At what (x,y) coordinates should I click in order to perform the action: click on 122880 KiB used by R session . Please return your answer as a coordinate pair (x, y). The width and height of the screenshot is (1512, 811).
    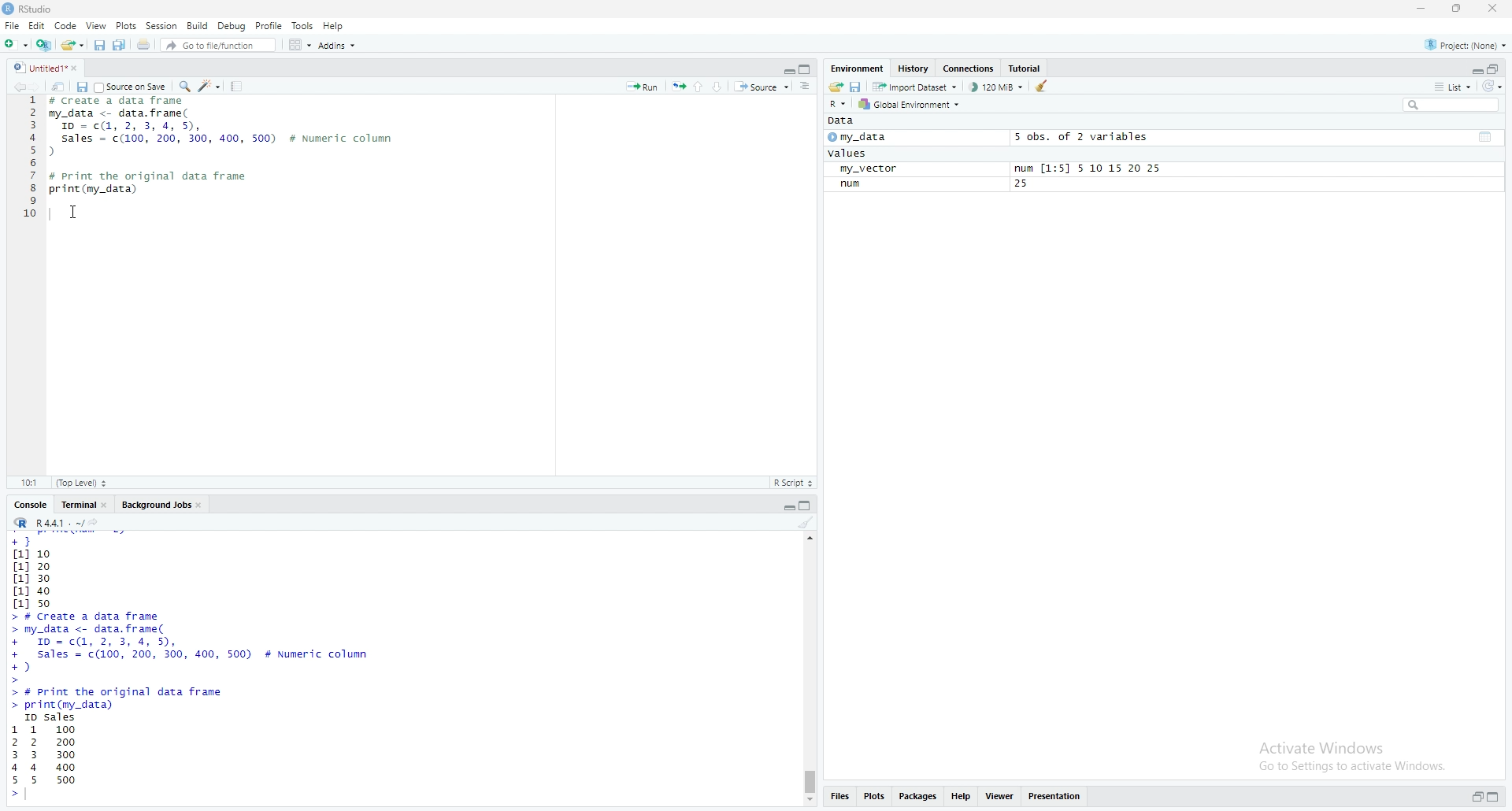
    Looking at the image, I should click on (997, 89).